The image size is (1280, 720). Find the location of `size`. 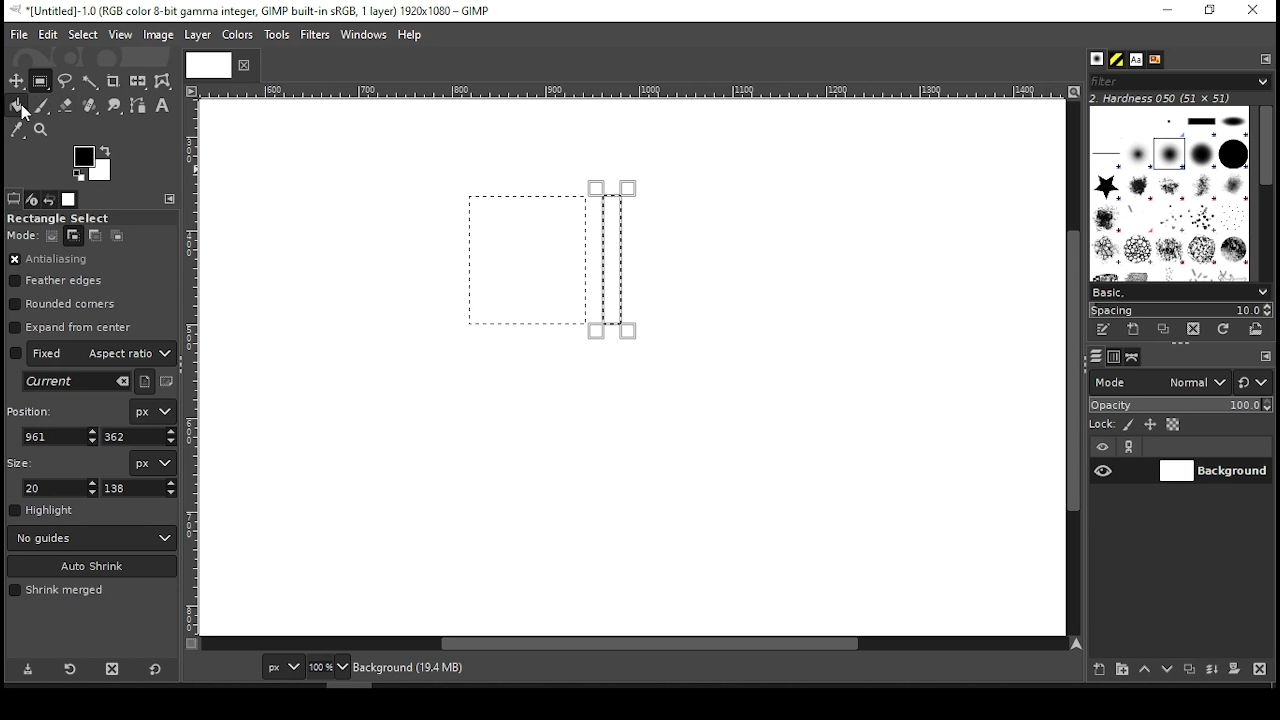

size is located at coordinates (24, 461).